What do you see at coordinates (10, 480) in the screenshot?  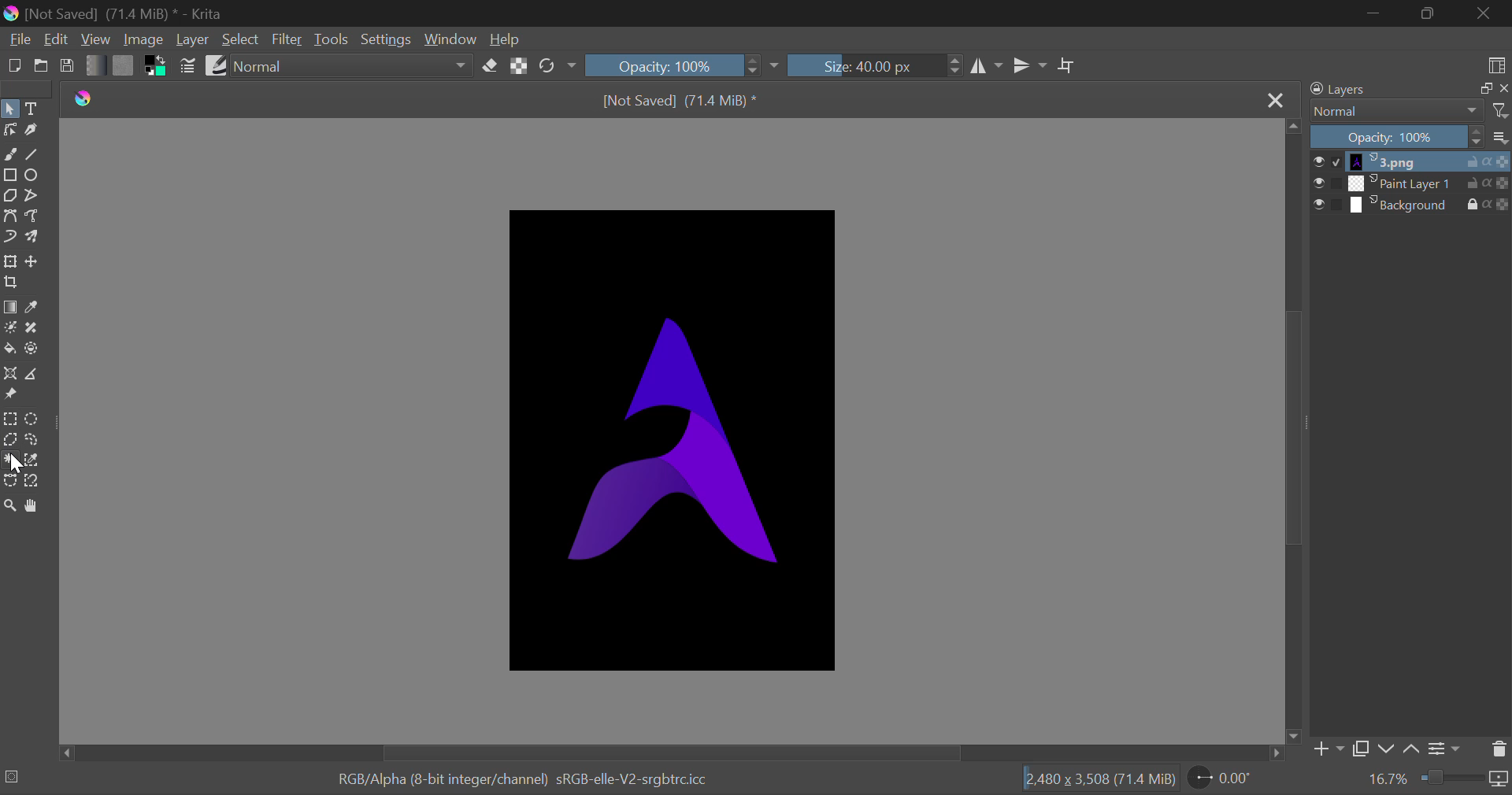 I see `Bezier Curve Selection` at bounding box center [10, 480].